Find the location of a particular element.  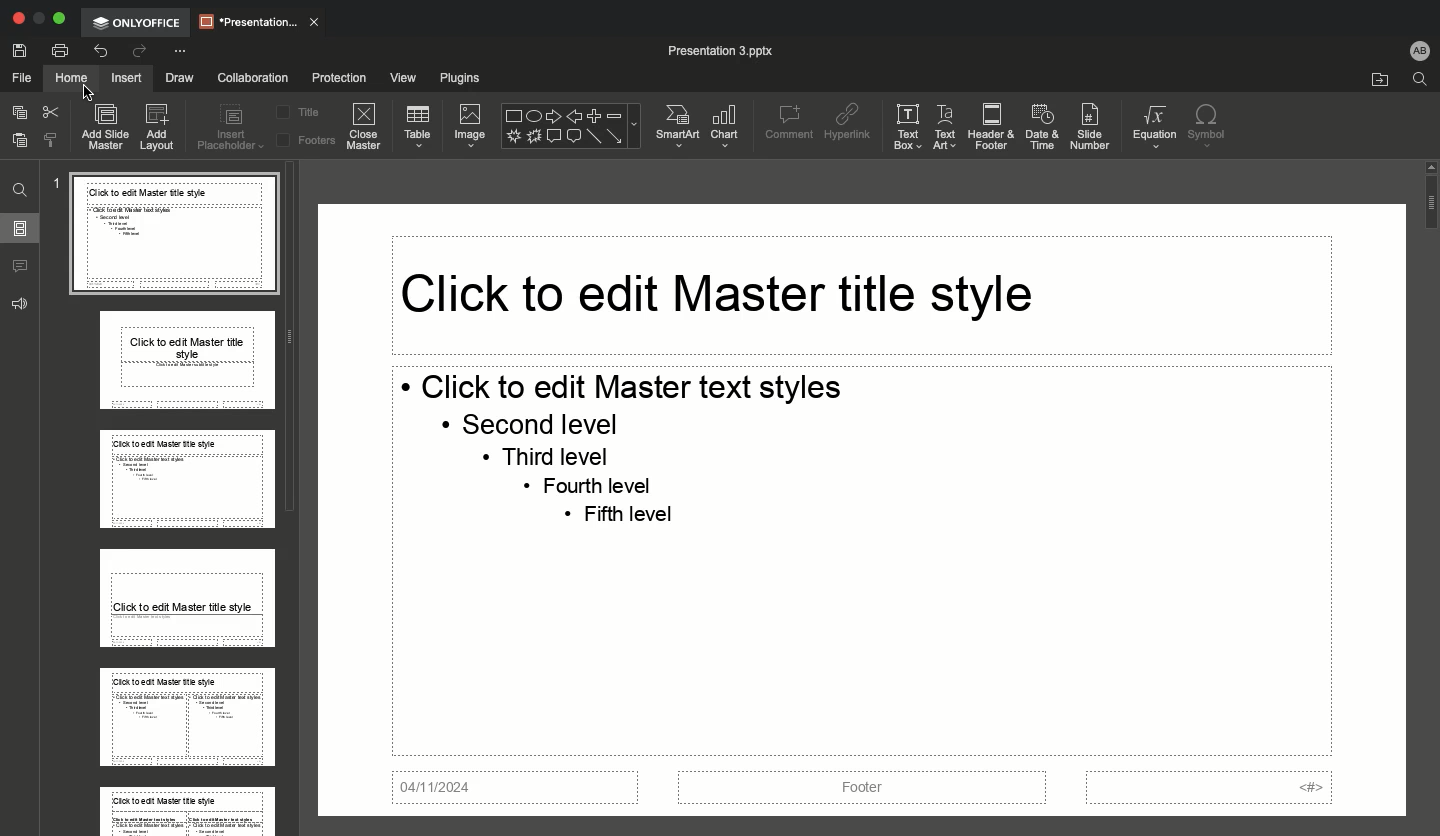

Rectangle is located at coordinates (513, 114).